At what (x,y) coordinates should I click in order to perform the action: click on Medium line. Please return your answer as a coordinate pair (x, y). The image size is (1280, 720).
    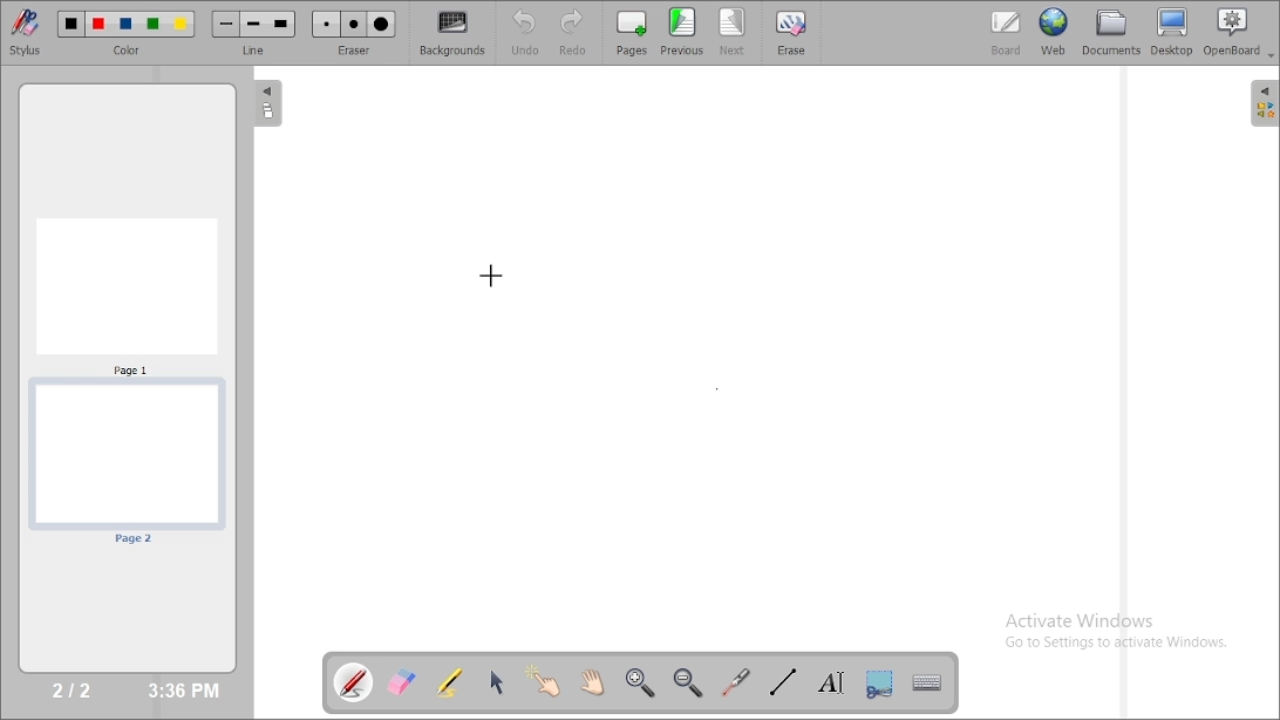
    Looking at the image, I should click on (255, 24).